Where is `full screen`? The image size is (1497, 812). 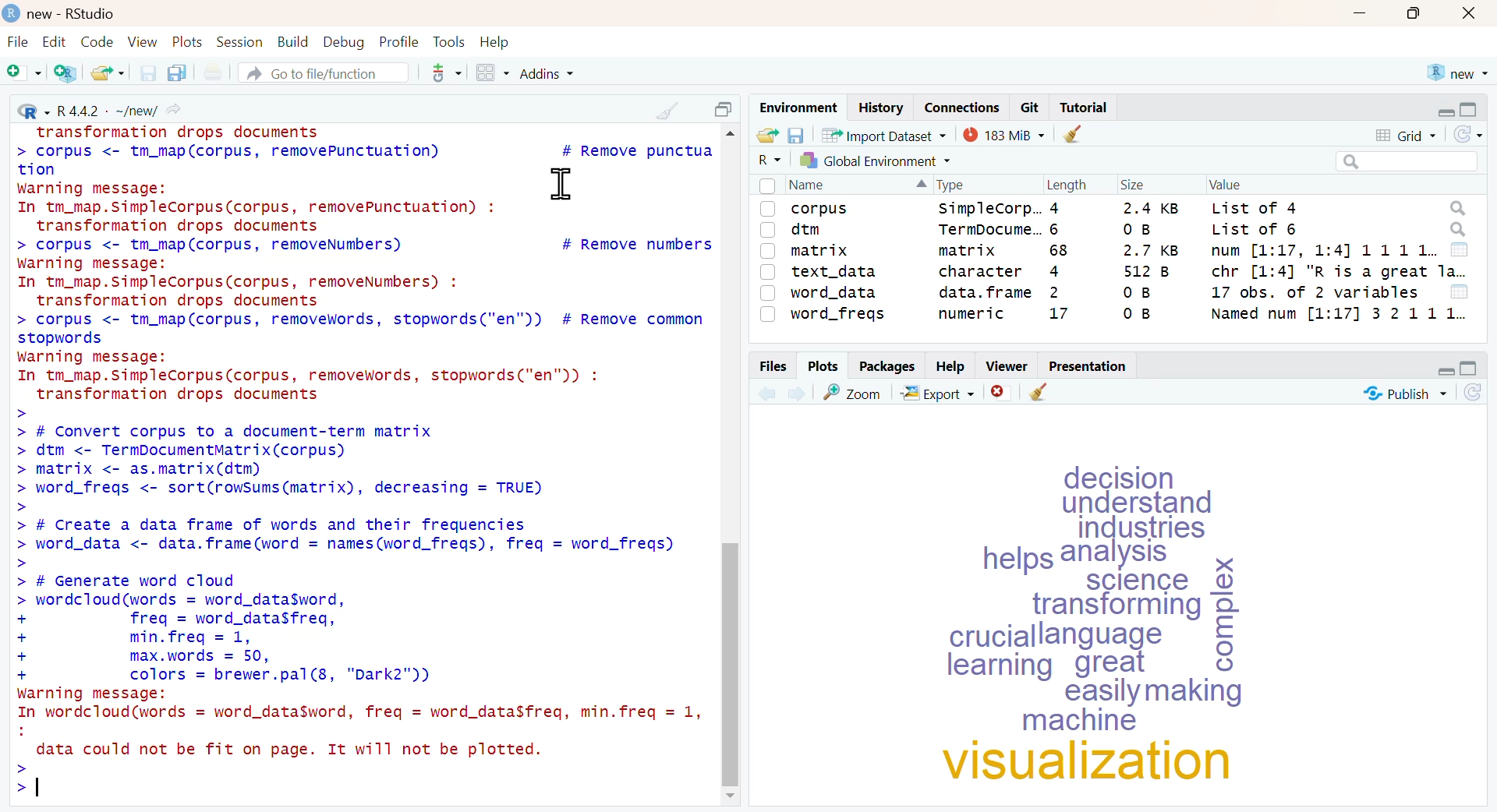 full screen is located at coordinates (1471, 110).